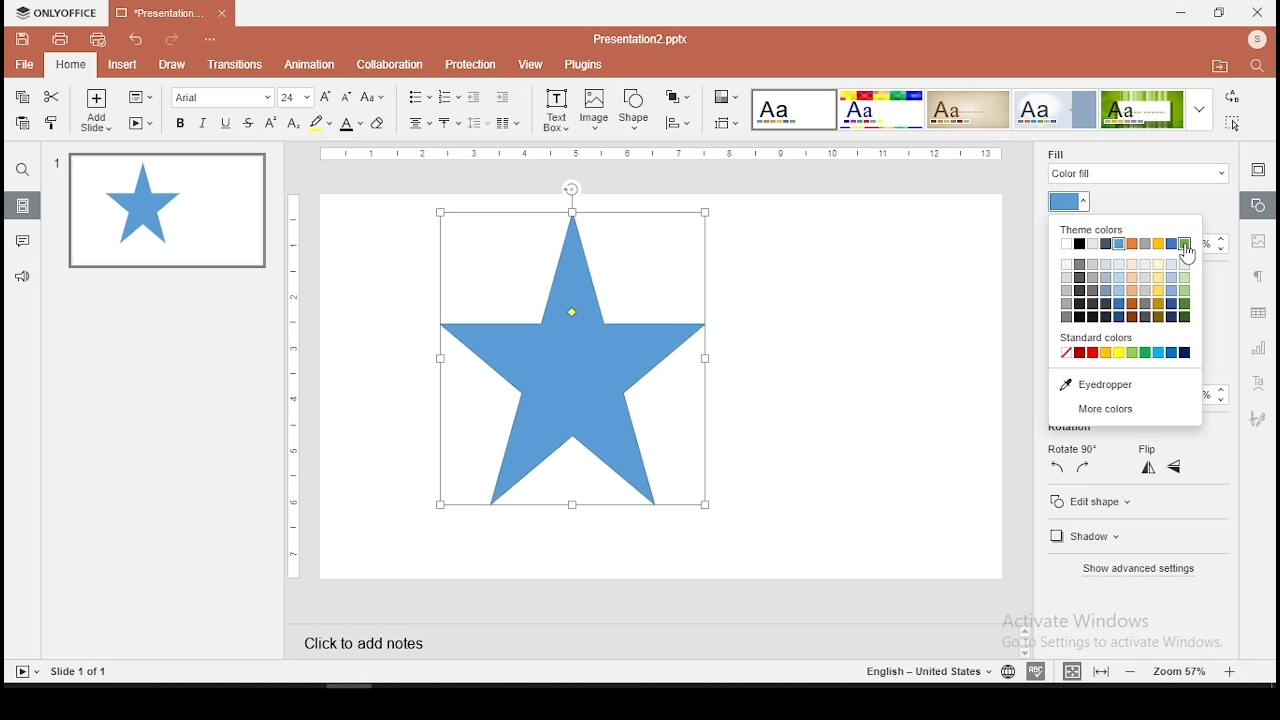 The width and height of the screenshot is (1280, 720). Describe the element at coordinates (420, 124) in the screenshot. I see `horizontal alignment` at that location.